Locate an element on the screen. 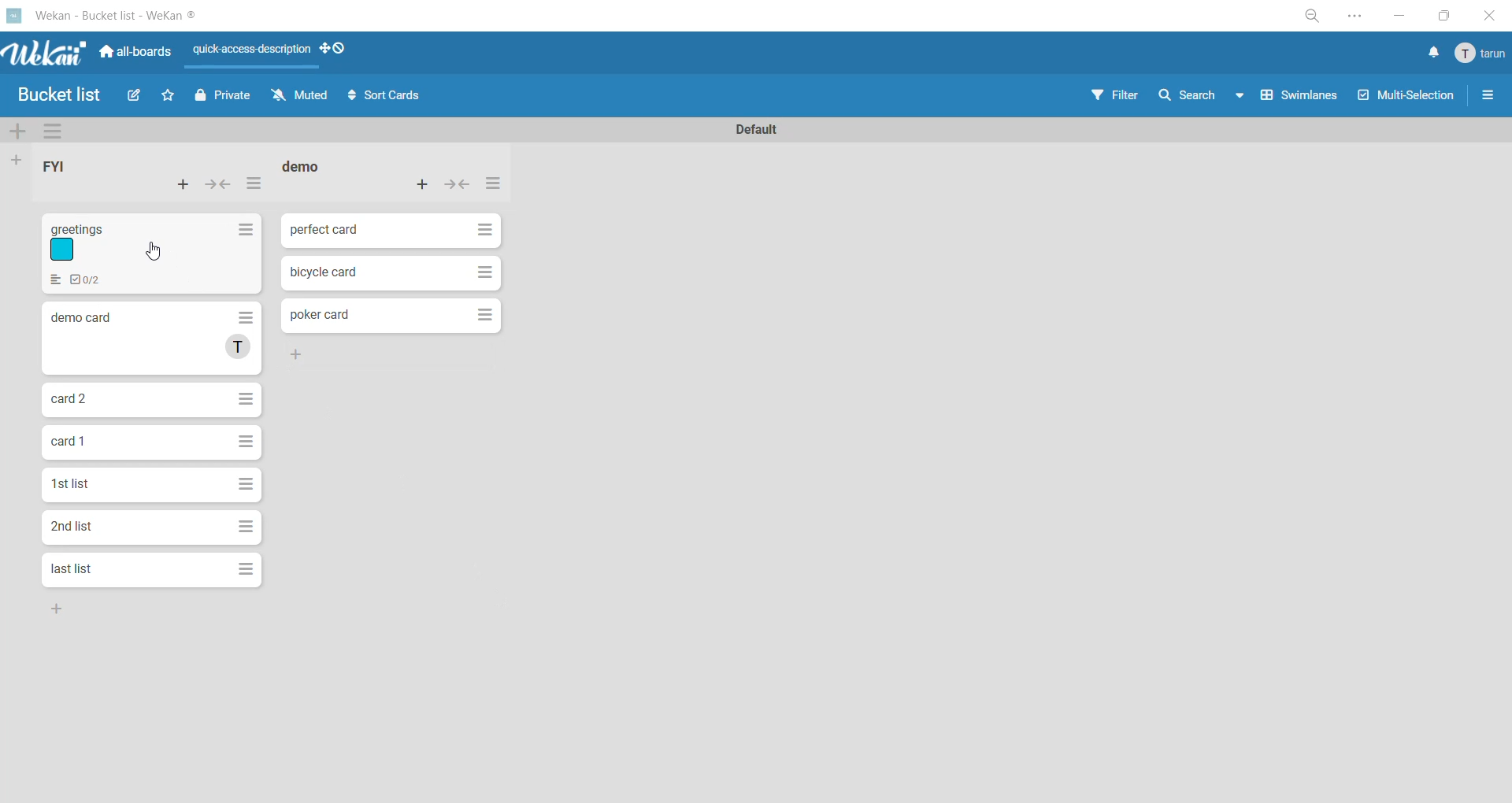 The image size is (1512, 803). Demo card is located at coordinates (150, 339).